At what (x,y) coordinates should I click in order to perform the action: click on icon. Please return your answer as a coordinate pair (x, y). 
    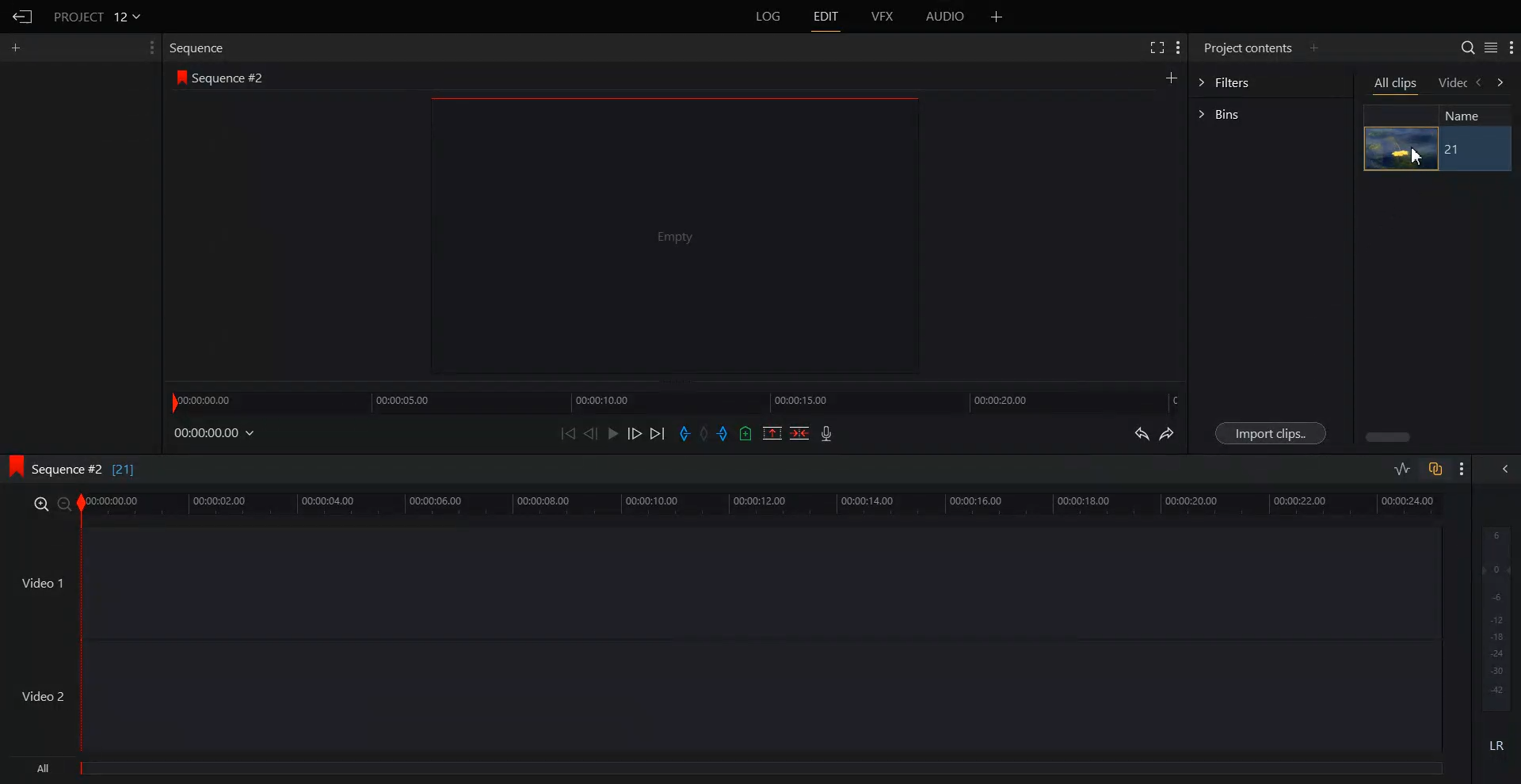
    Looking at the image, I should click on (182, 79).